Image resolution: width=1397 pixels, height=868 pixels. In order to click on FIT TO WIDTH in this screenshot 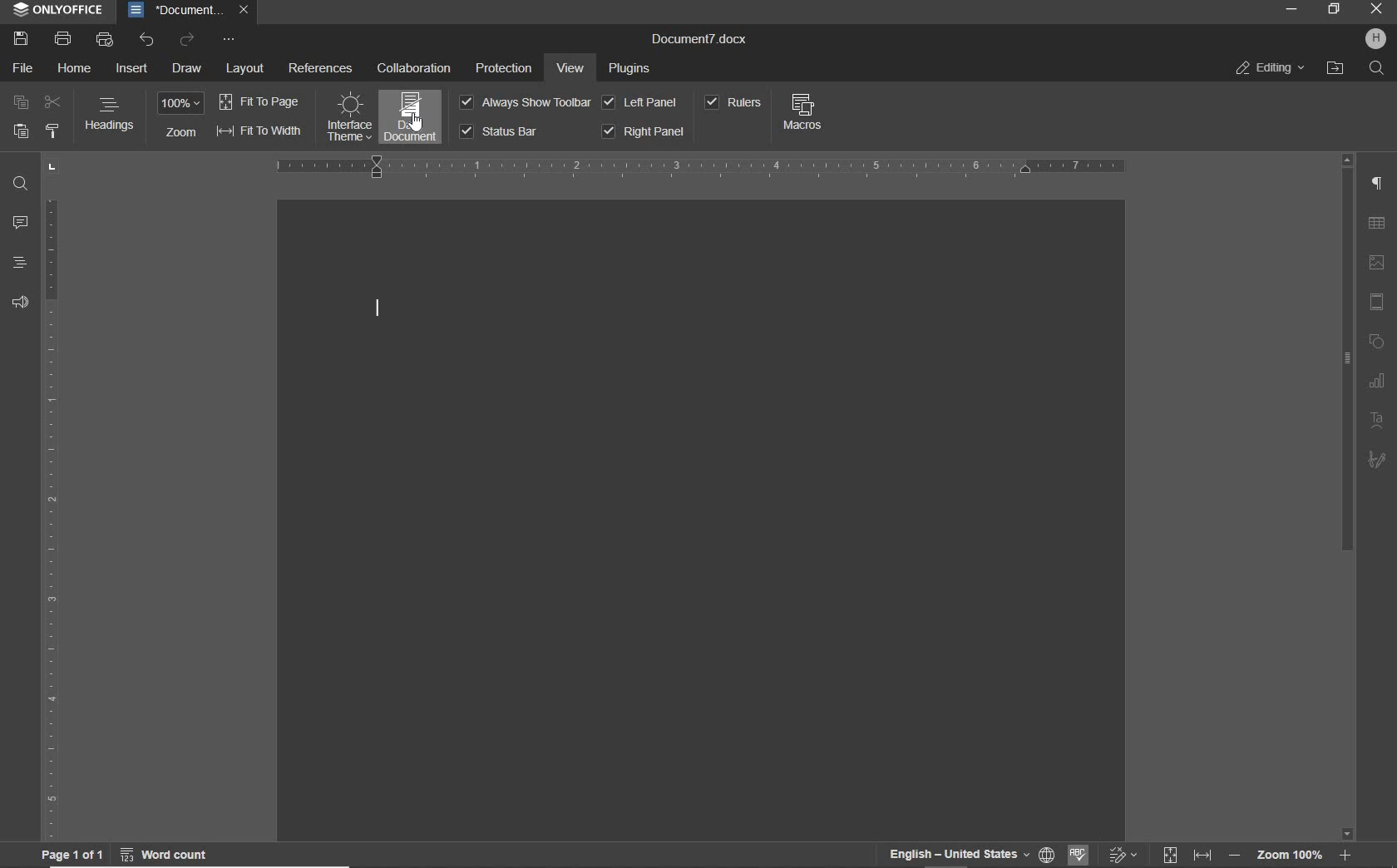, I will do `click(259, 133)`.